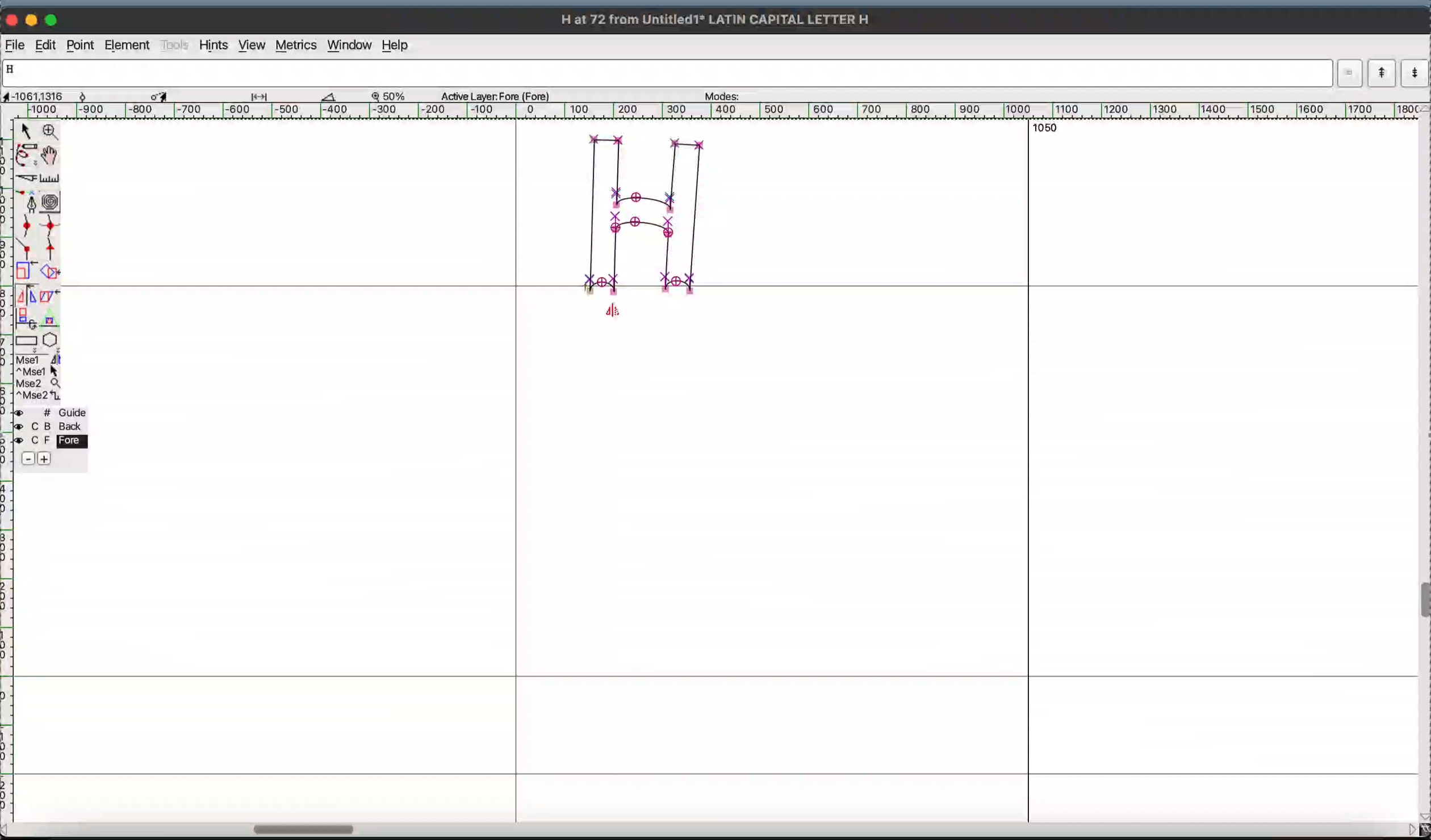  I want to click on next word, so click(1415, 73).